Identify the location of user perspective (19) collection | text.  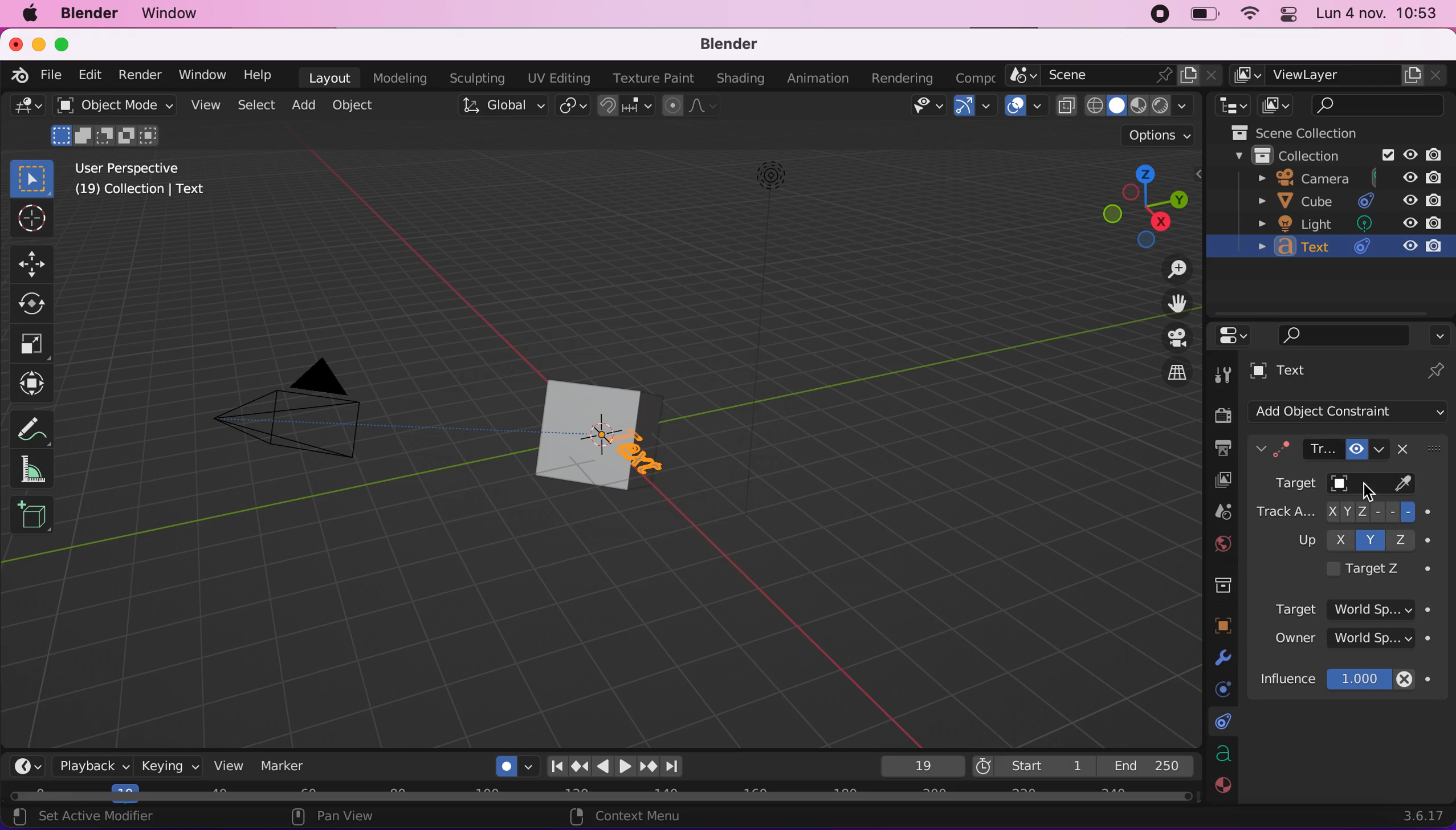
(140, 184).